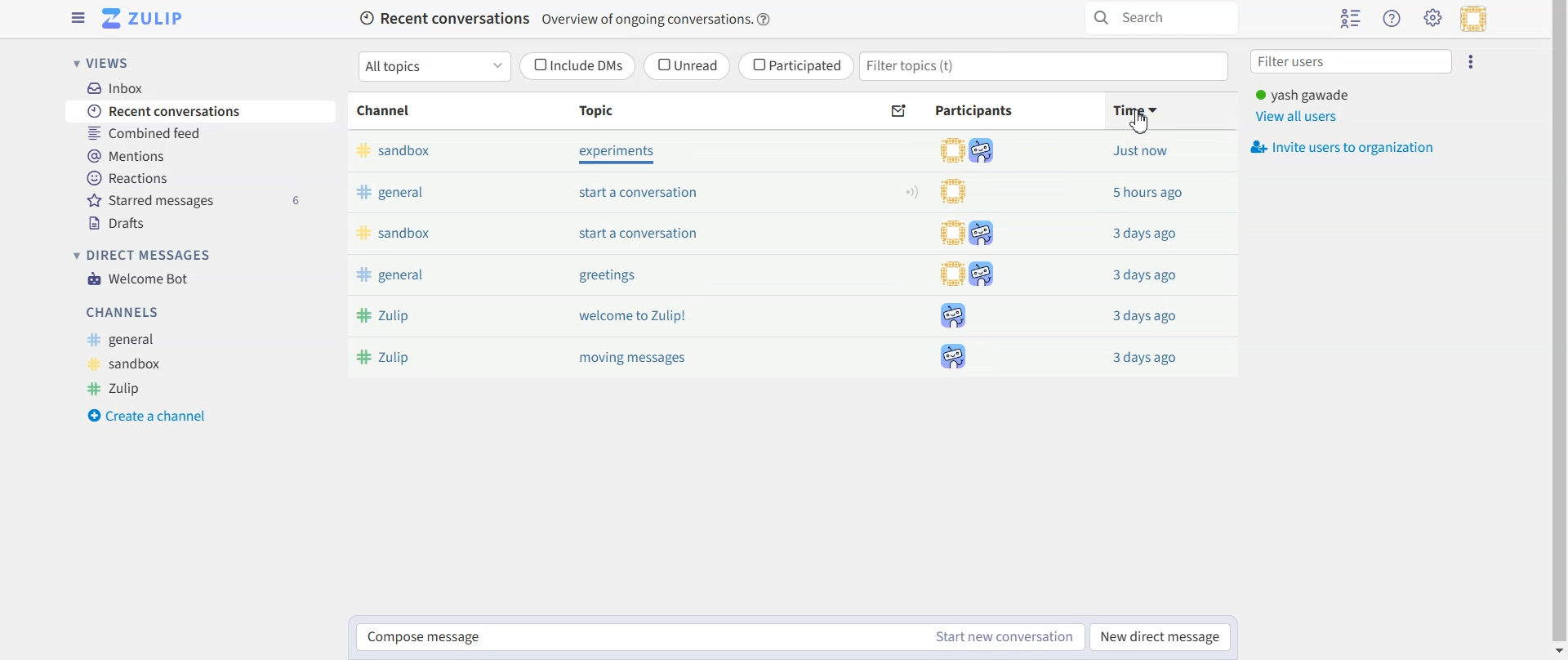 This screenshot has height=660, width=1568. Describe the element at coordinates (584, 194) in the screenshot. I see `general start a conversation` at that location.